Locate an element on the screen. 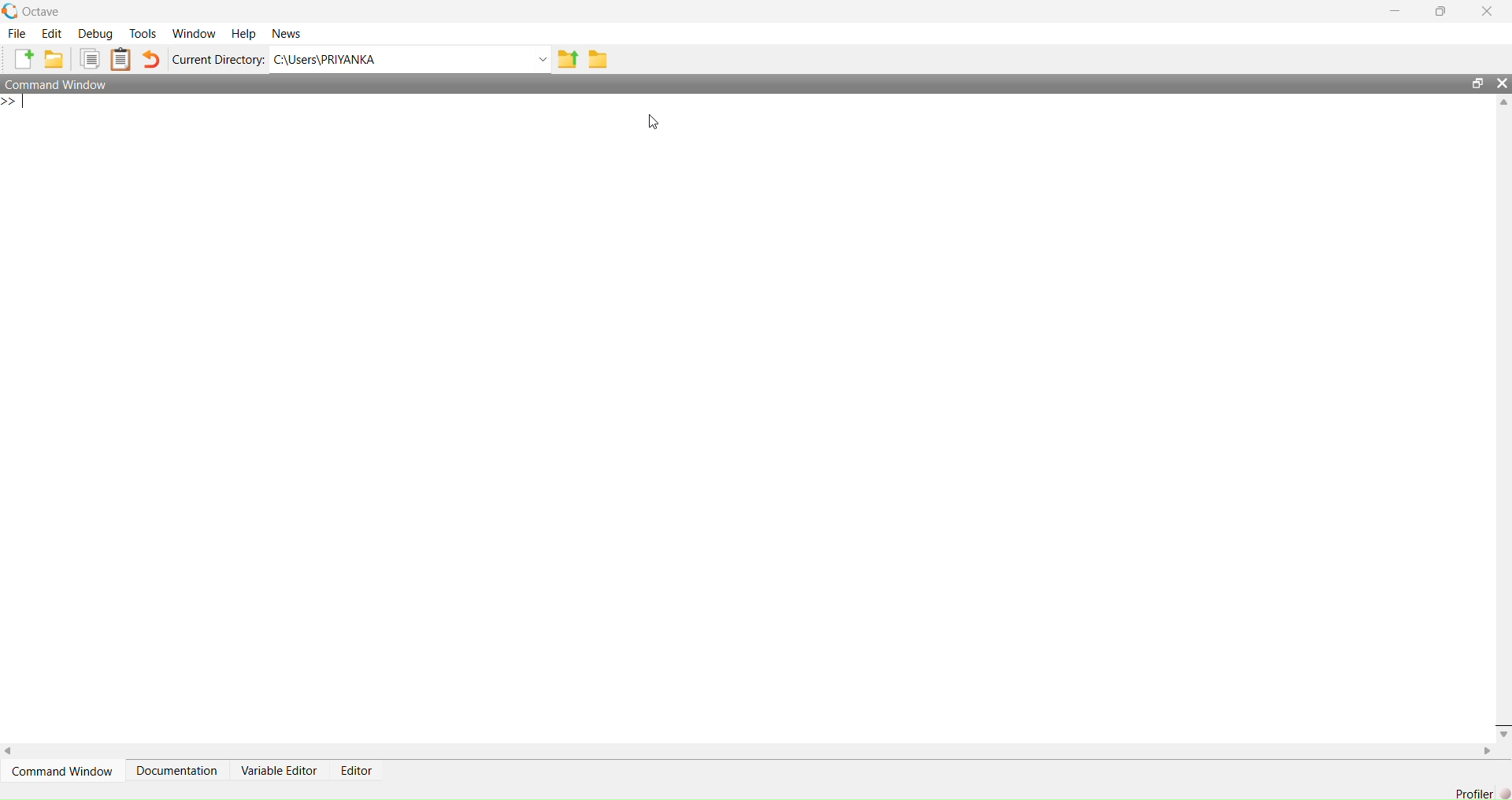  Command Window is located at coordinates (718, 83).